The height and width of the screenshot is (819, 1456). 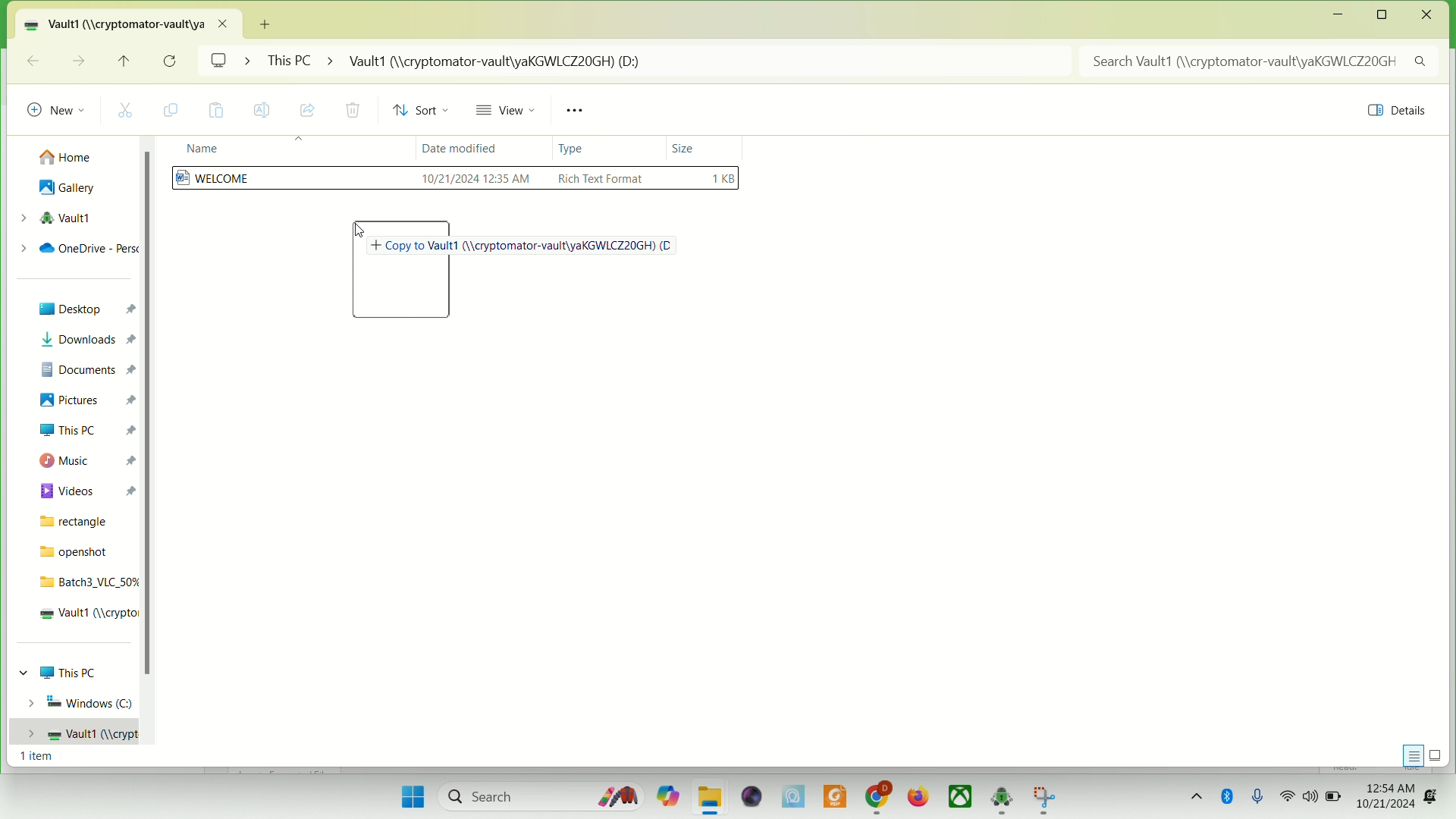 I want to click on firefox, so click(x=918, y=796).